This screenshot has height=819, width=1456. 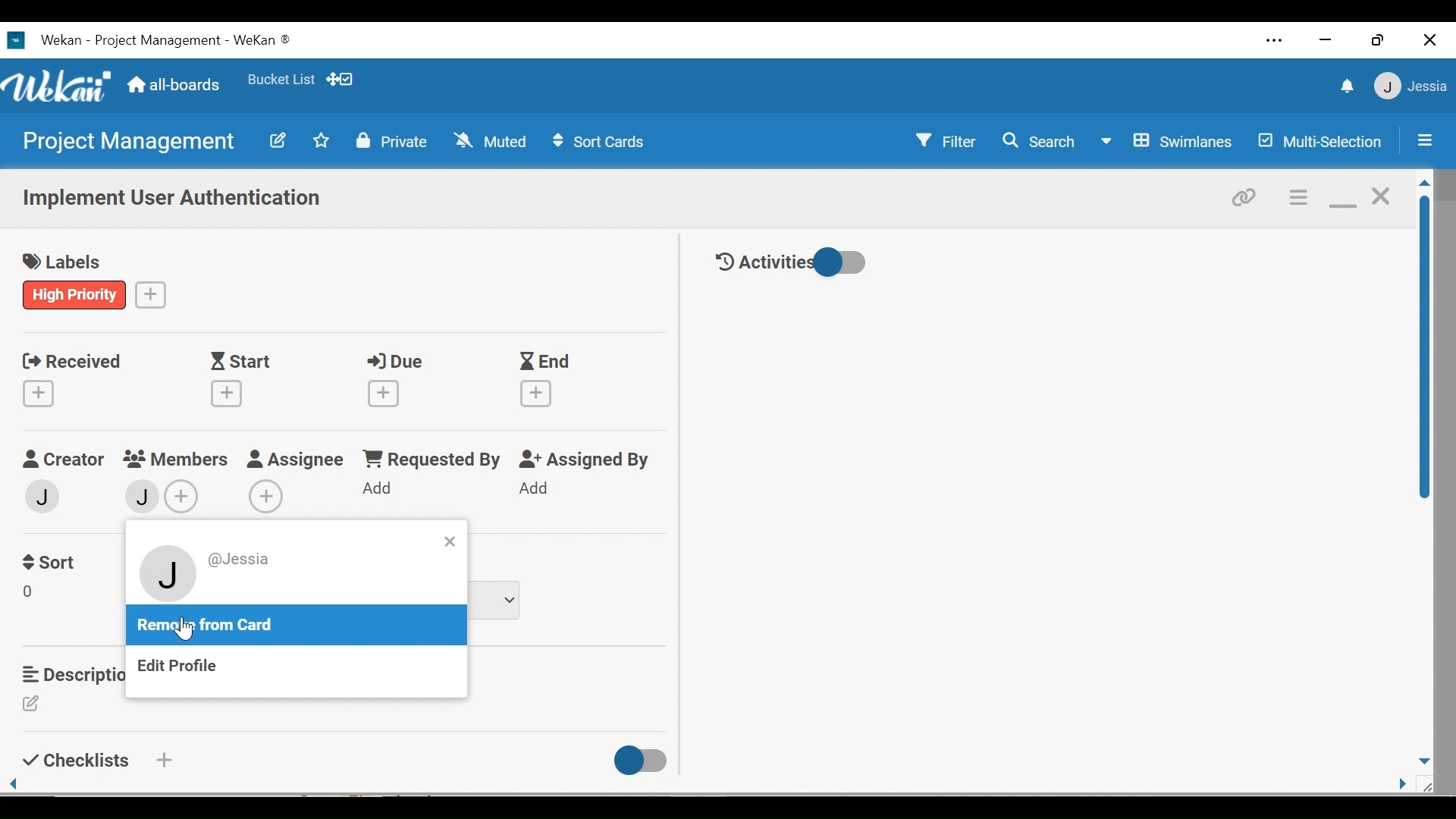 I want to click on add, so click(x=152, y=293).